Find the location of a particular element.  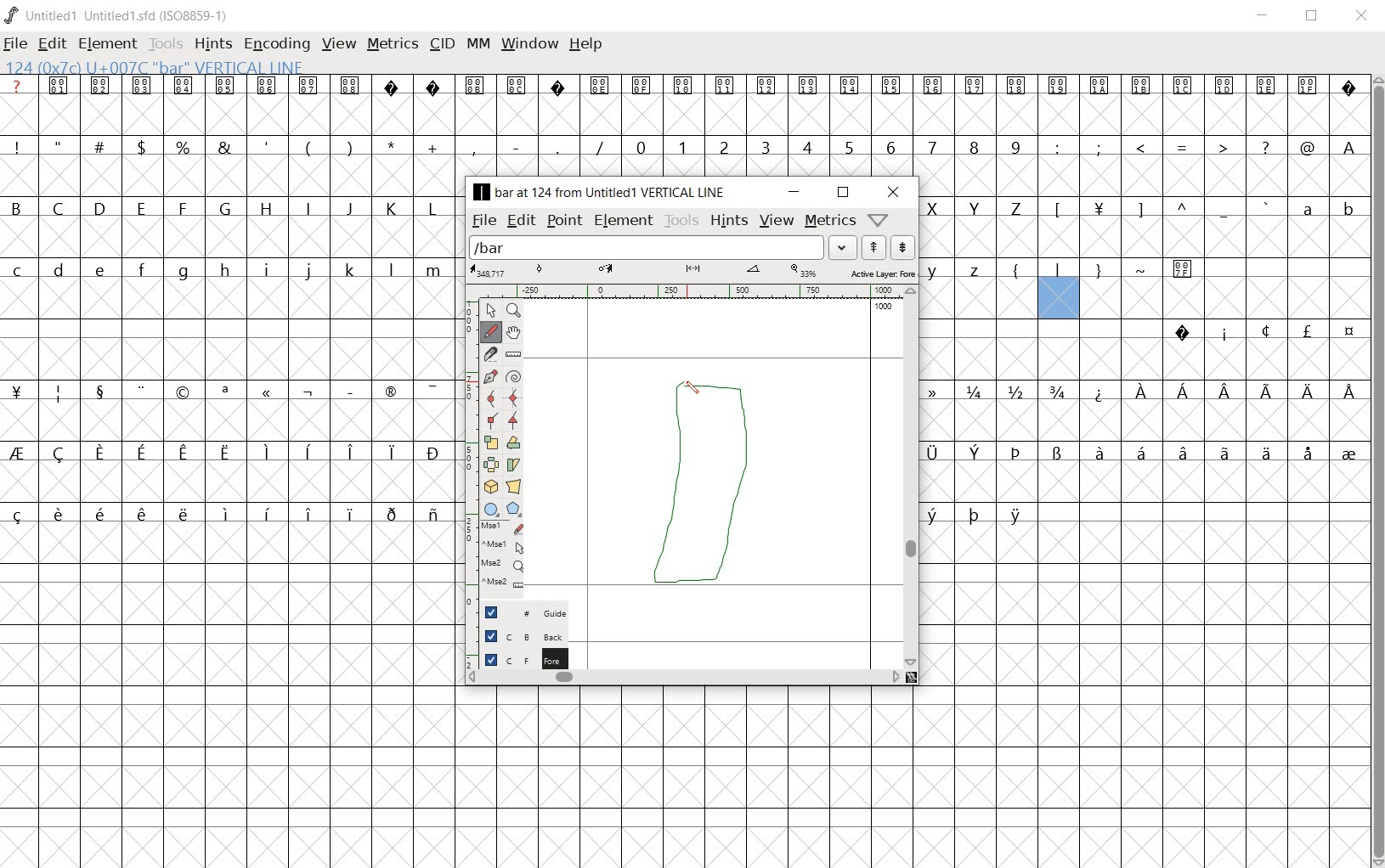

cid is located at coordinates (442, 44).